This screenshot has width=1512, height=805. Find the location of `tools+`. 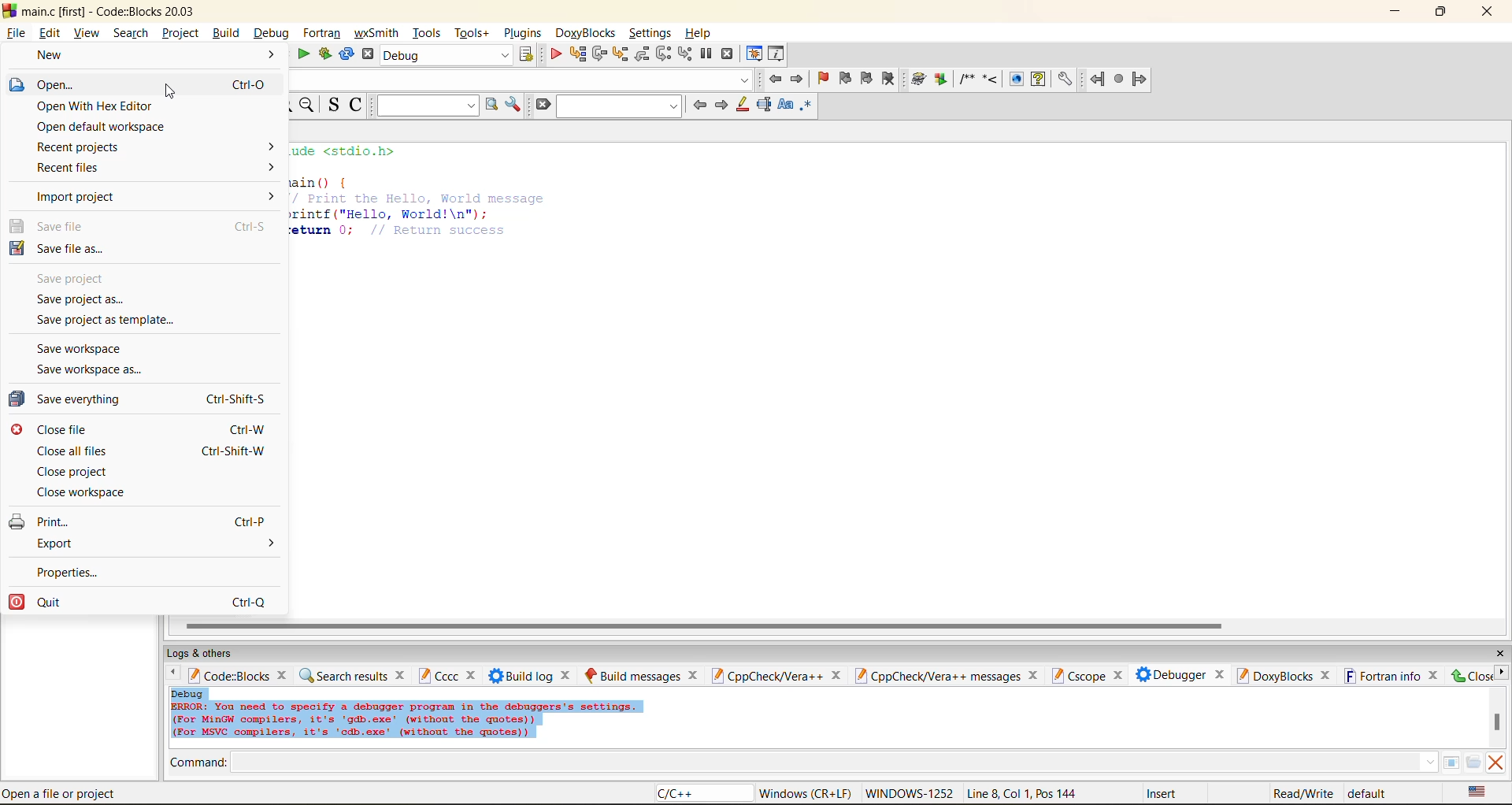

tools+ is located at coordinates (472, 33).